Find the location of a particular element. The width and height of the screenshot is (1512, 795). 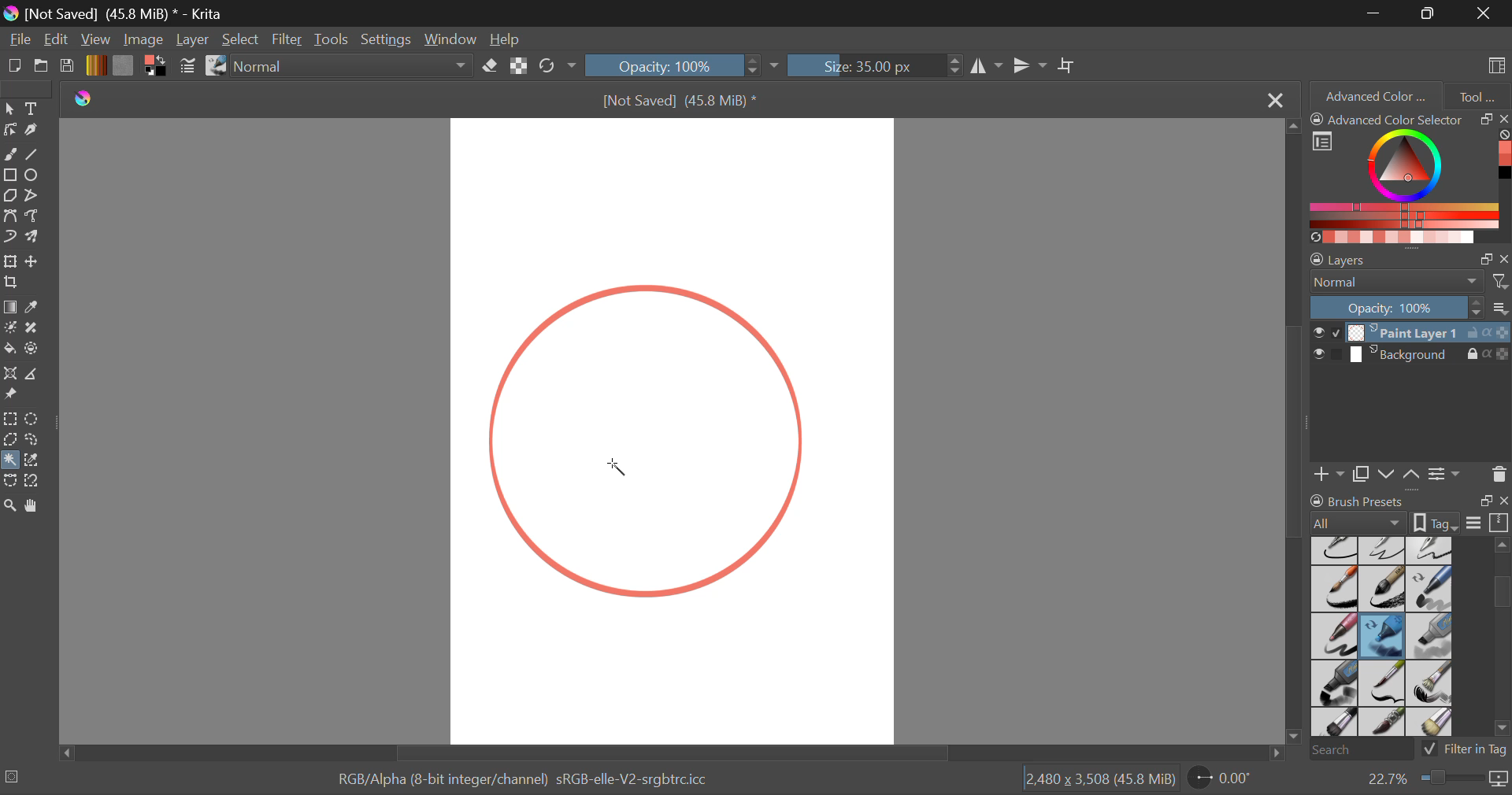

Transform a layer is located at coordinates (9, 261).